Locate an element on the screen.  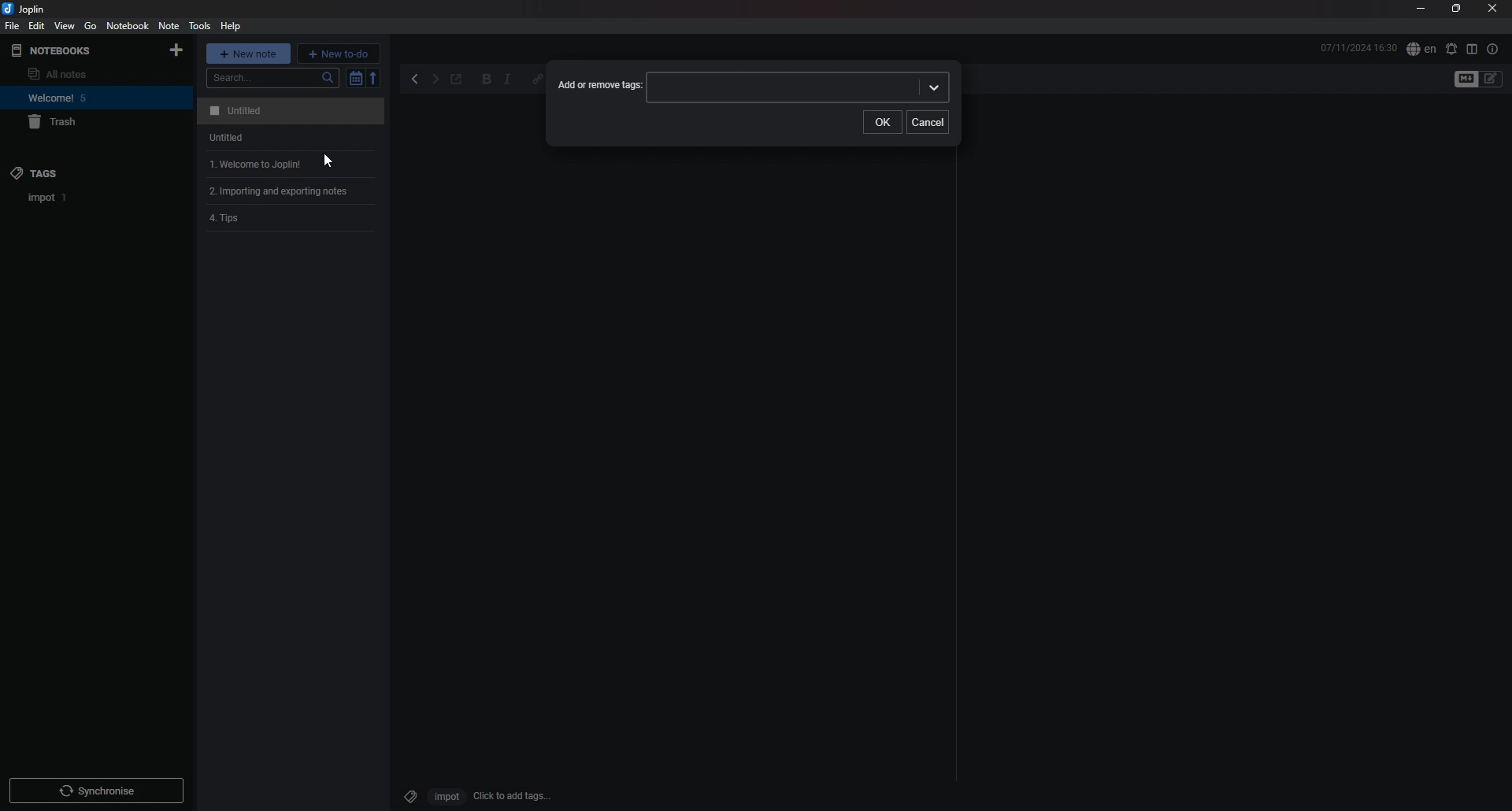
edit is located at coordinates (35, 25).